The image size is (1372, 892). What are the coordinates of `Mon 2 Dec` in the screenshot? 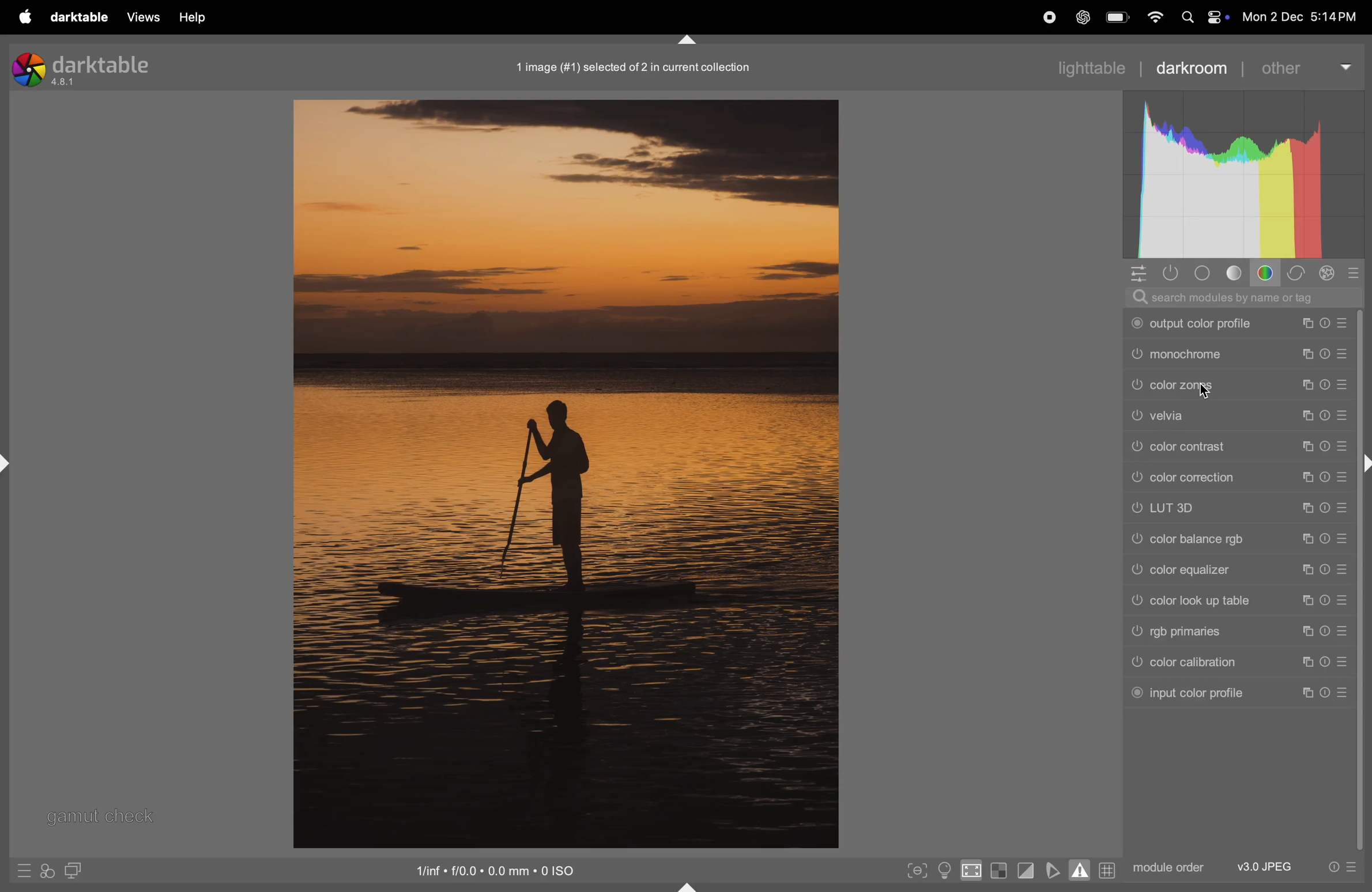 It's located at (1272, 17).